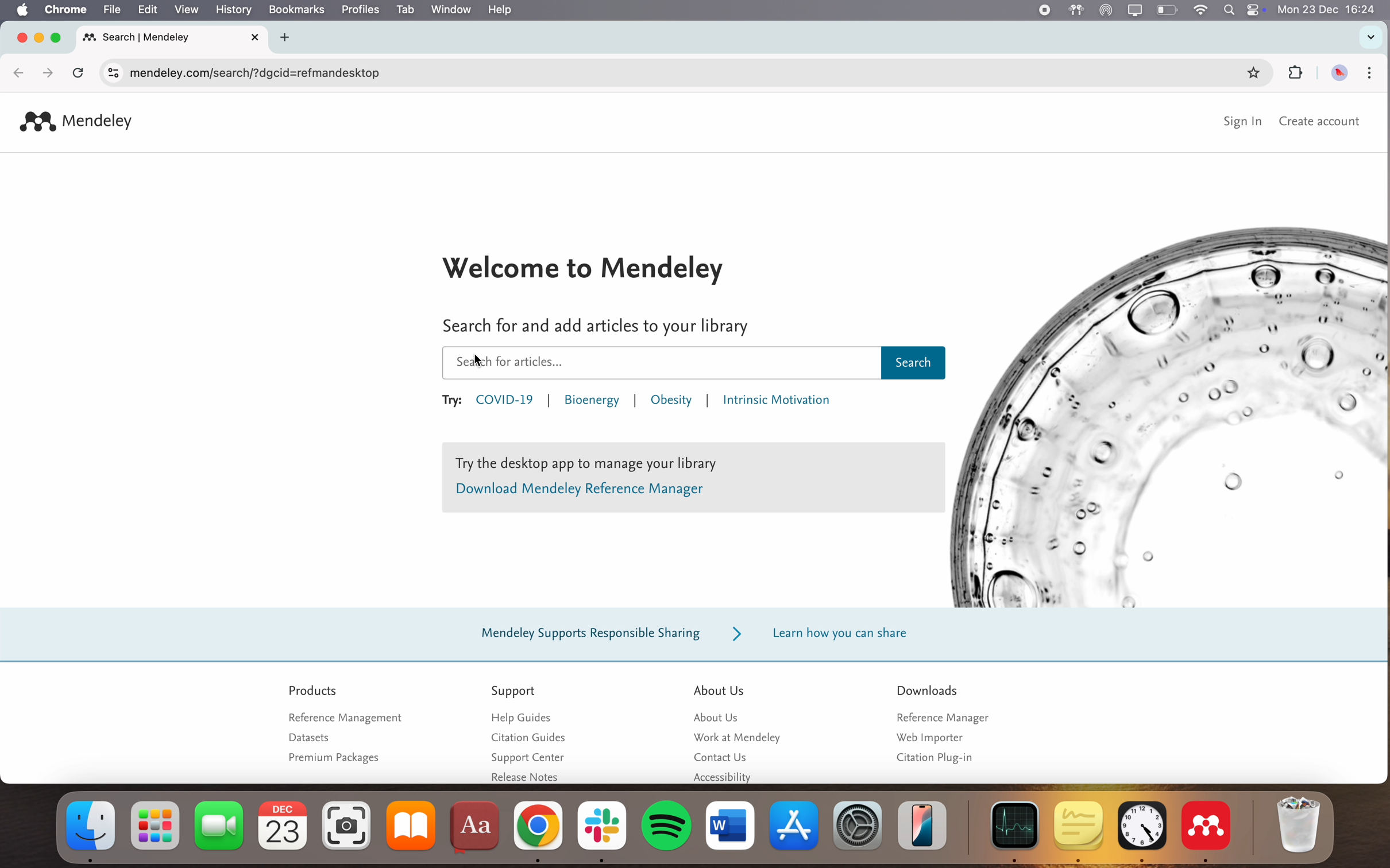 This screenshot has width=1390, height=868. Describe the element at coordinates (592, 404) in the screenshot. I see `bioenergy` at that location.